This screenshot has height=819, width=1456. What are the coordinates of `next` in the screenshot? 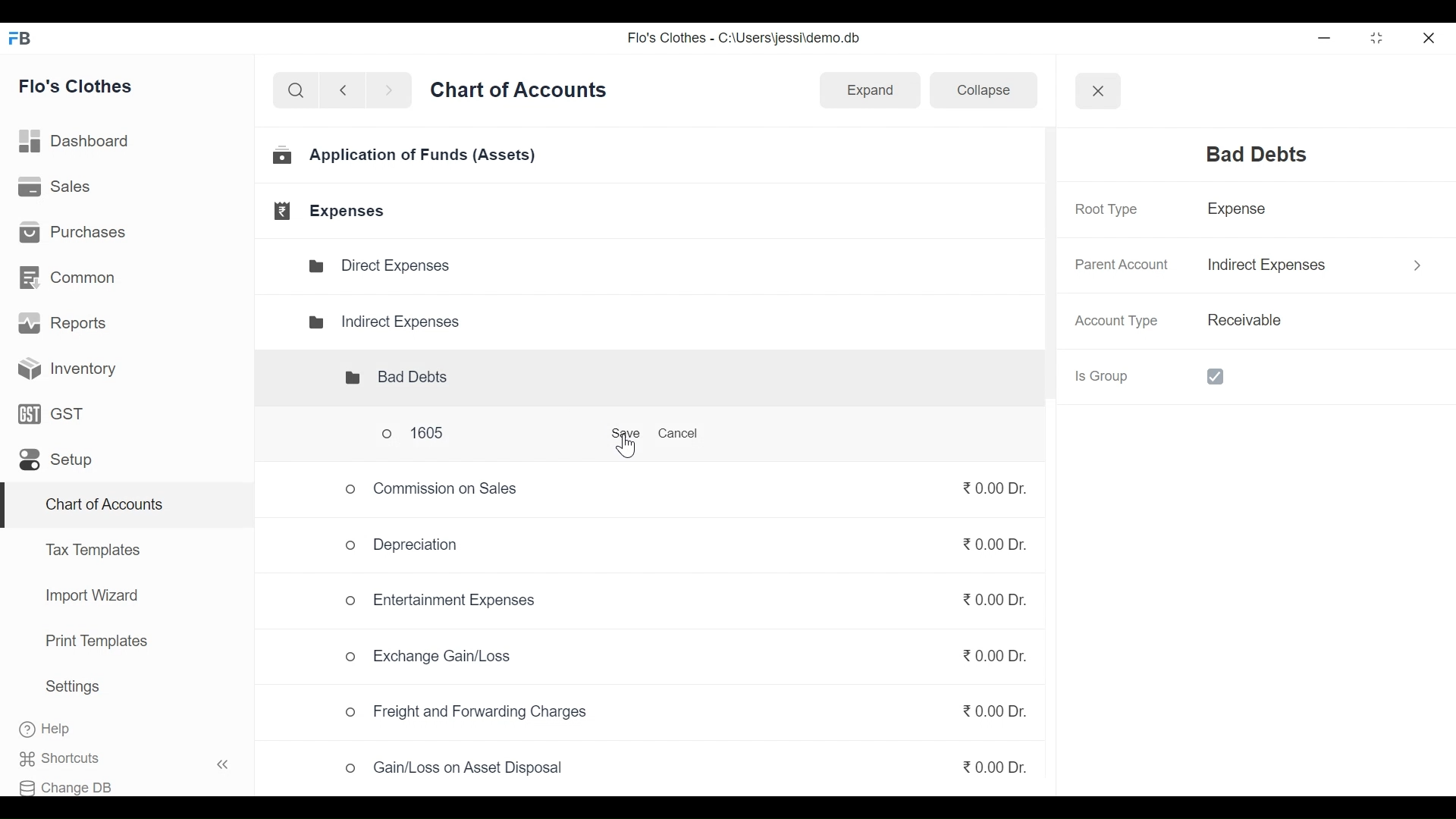 It's located at (391, 93).